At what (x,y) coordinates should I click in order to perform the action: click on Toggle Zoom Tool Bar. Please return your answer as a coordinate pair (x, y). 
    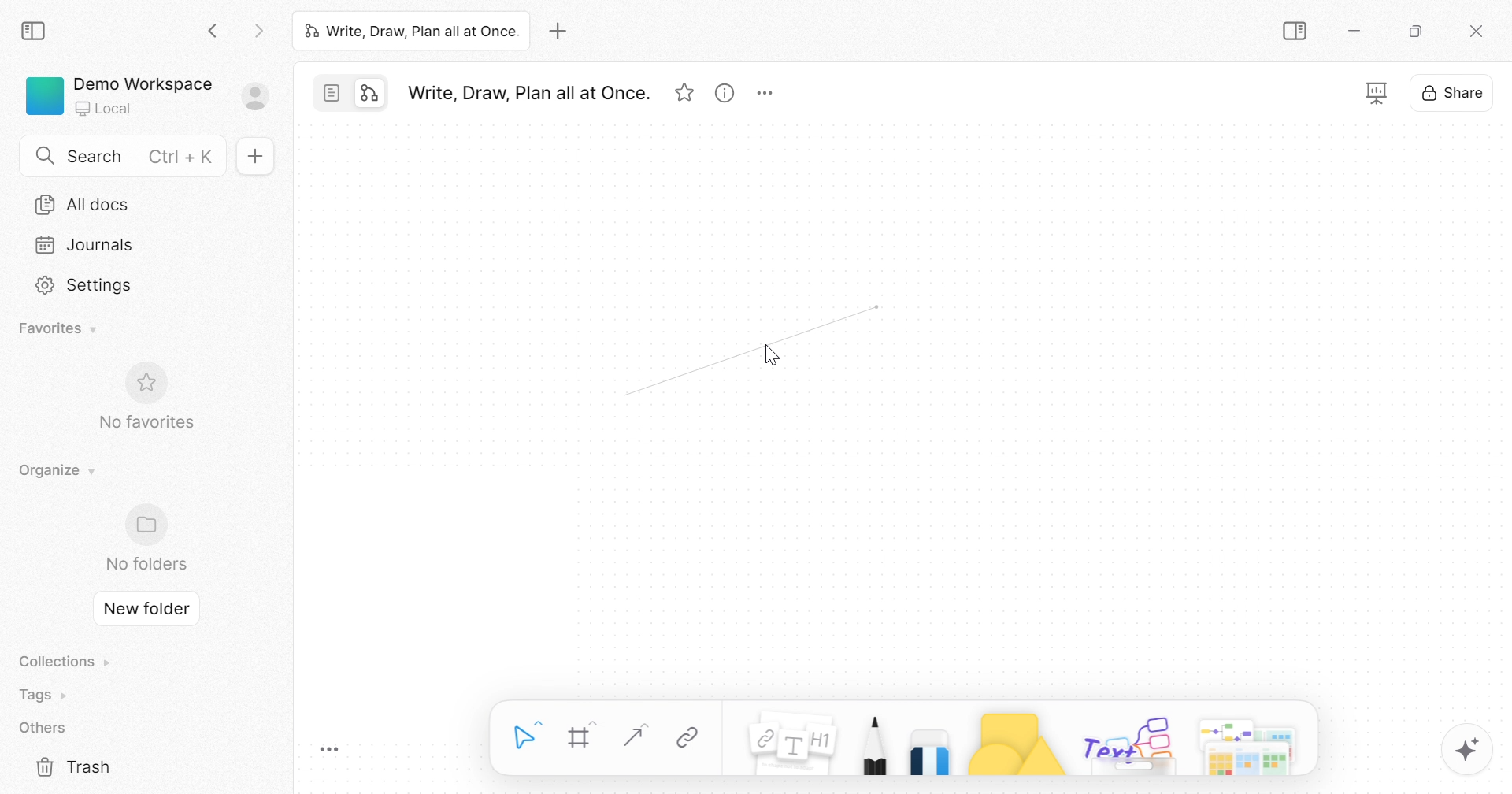
    Looking at the image, I should click on (330, 751).